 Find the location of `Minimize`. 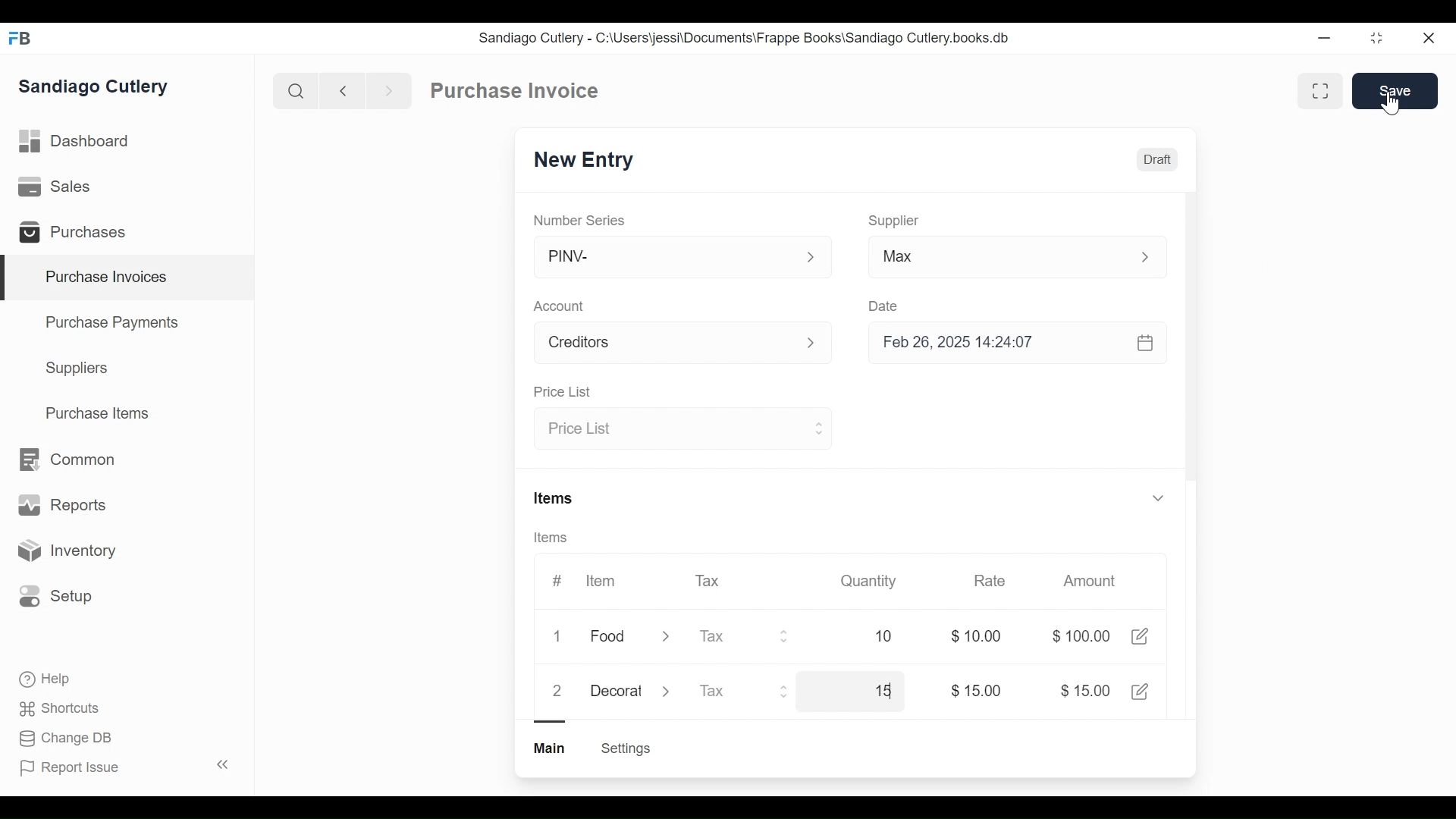

Minimize is located at coordinates (1321, 39).